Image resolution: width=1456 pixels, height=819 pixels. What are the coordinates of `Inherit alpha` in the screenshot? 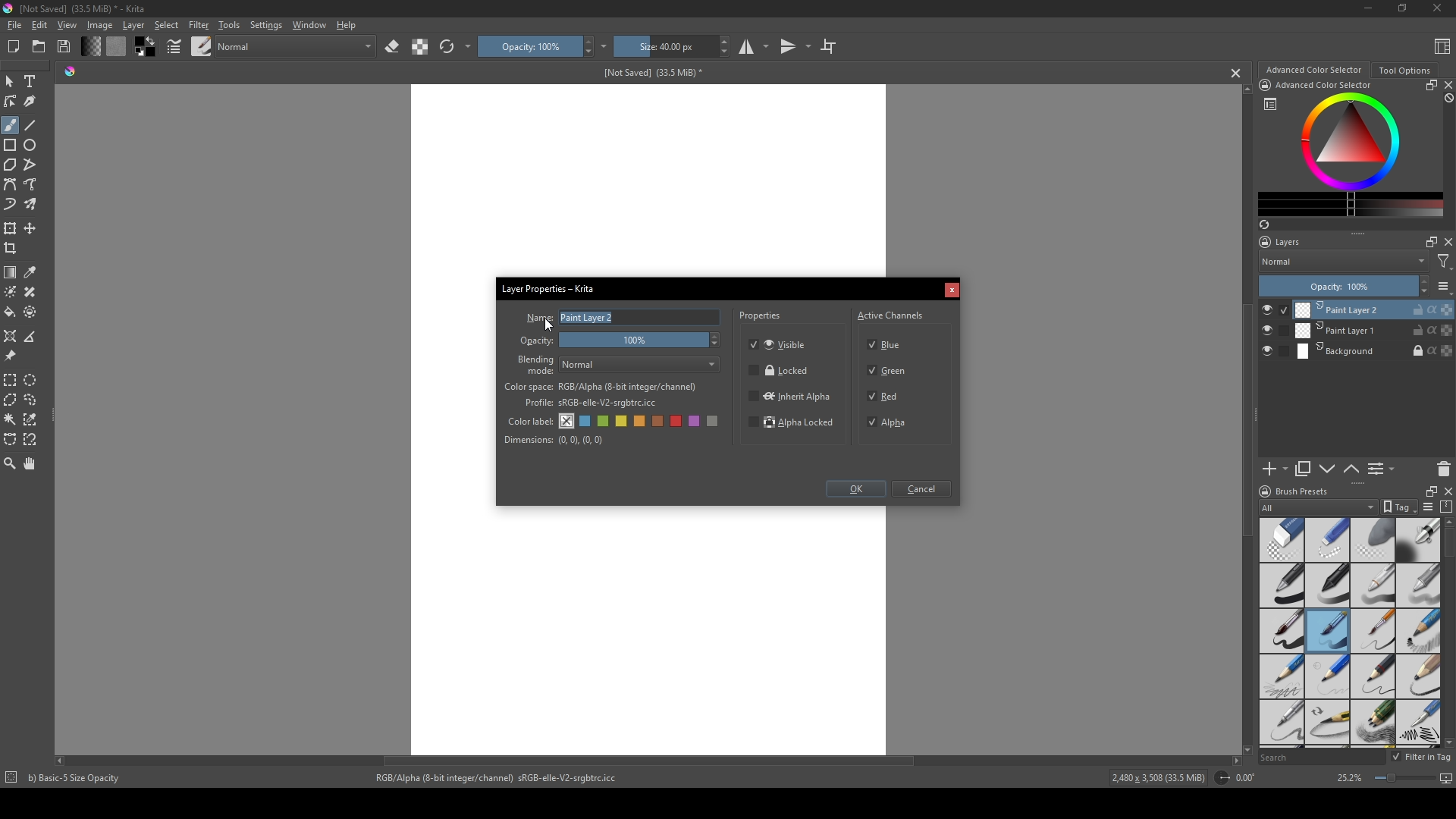 It's located at (789, 395).